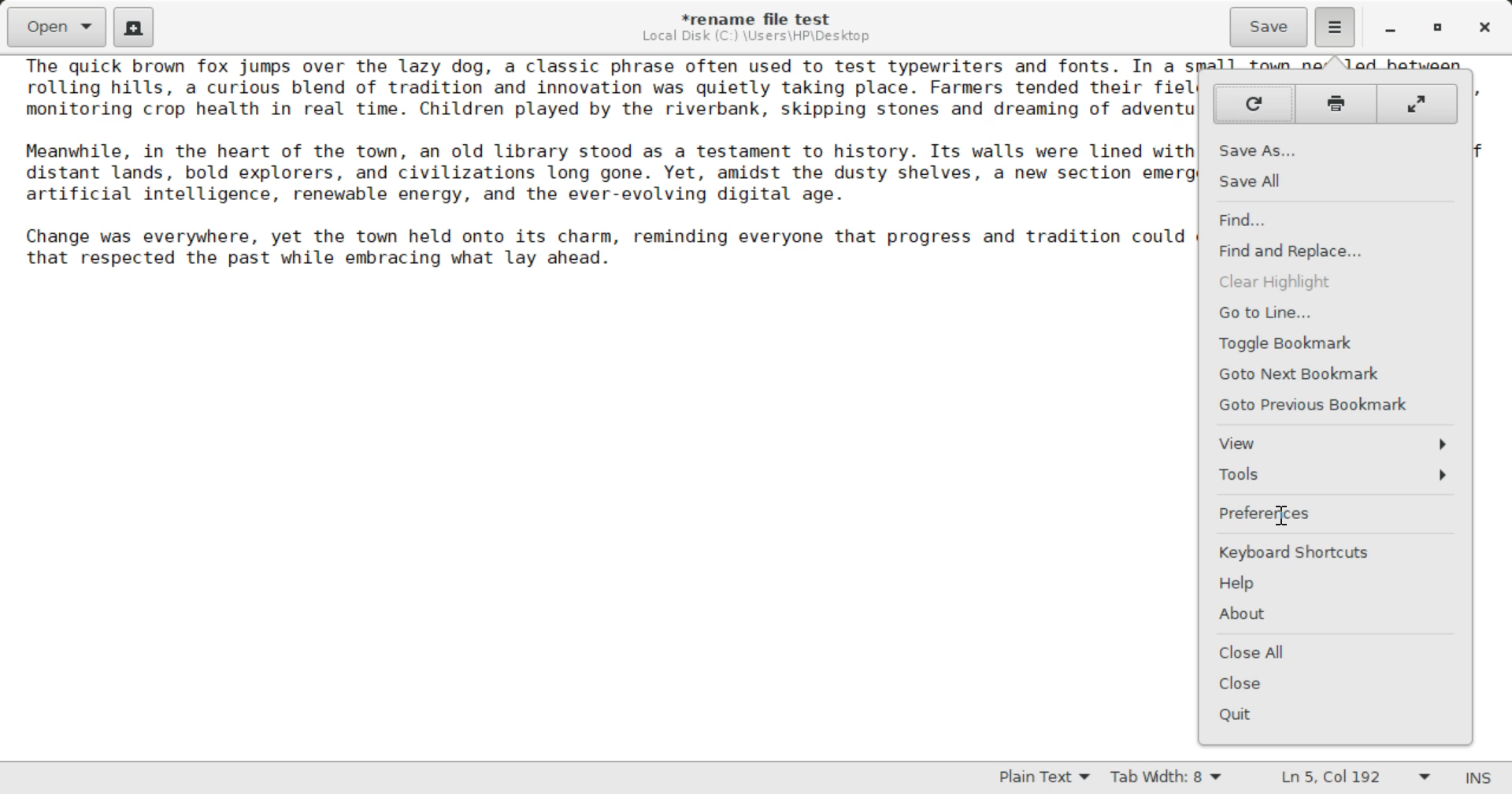 Image resolution: width=1512 pixels, height=794 pixels. Describe the element at coordinates (1280, 515) in the screenshot. I see `Cursor Position` at that location.